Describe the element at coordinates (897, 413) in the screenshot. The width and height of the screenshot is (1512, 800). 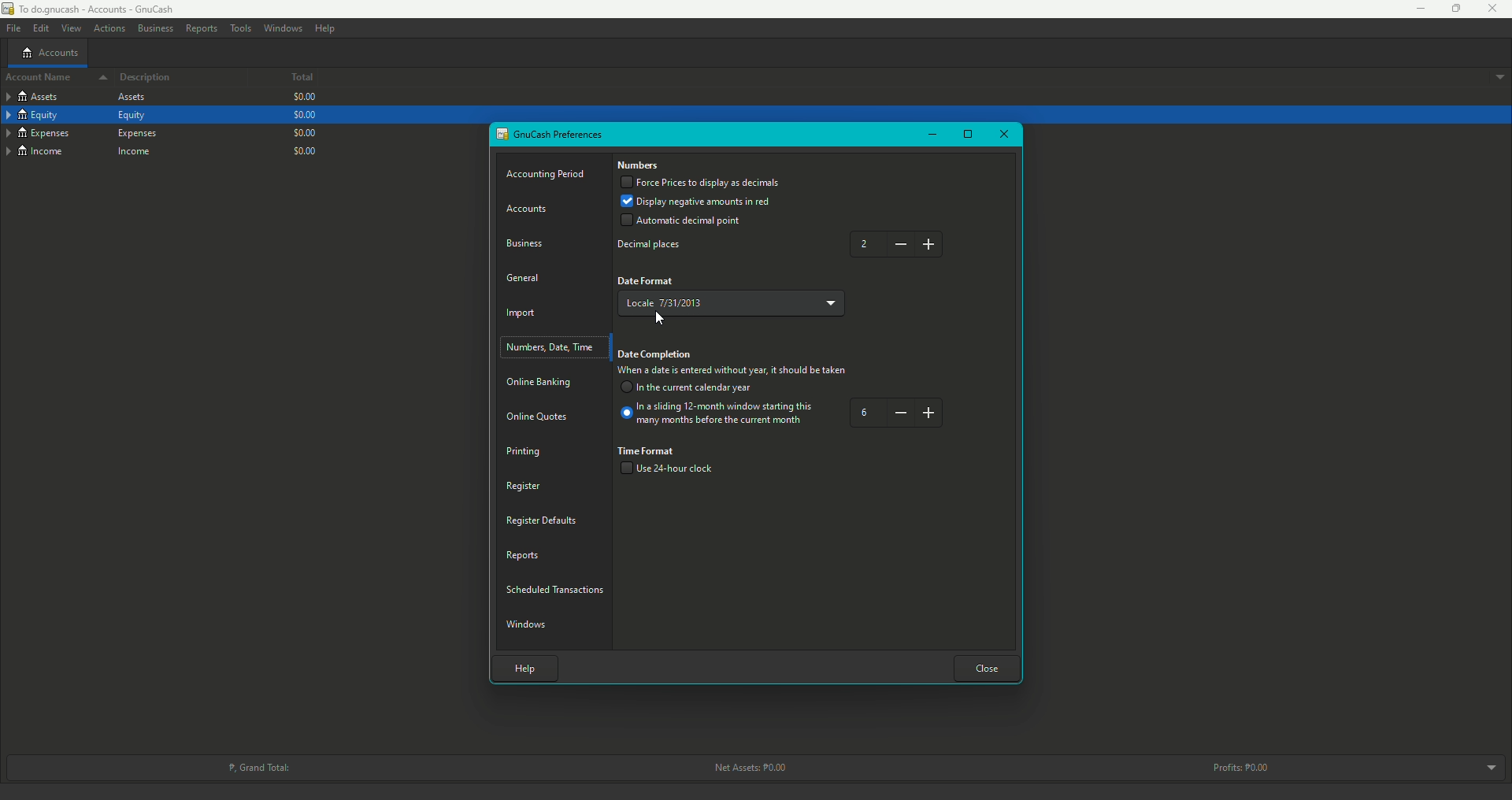
I see `6` at that location.